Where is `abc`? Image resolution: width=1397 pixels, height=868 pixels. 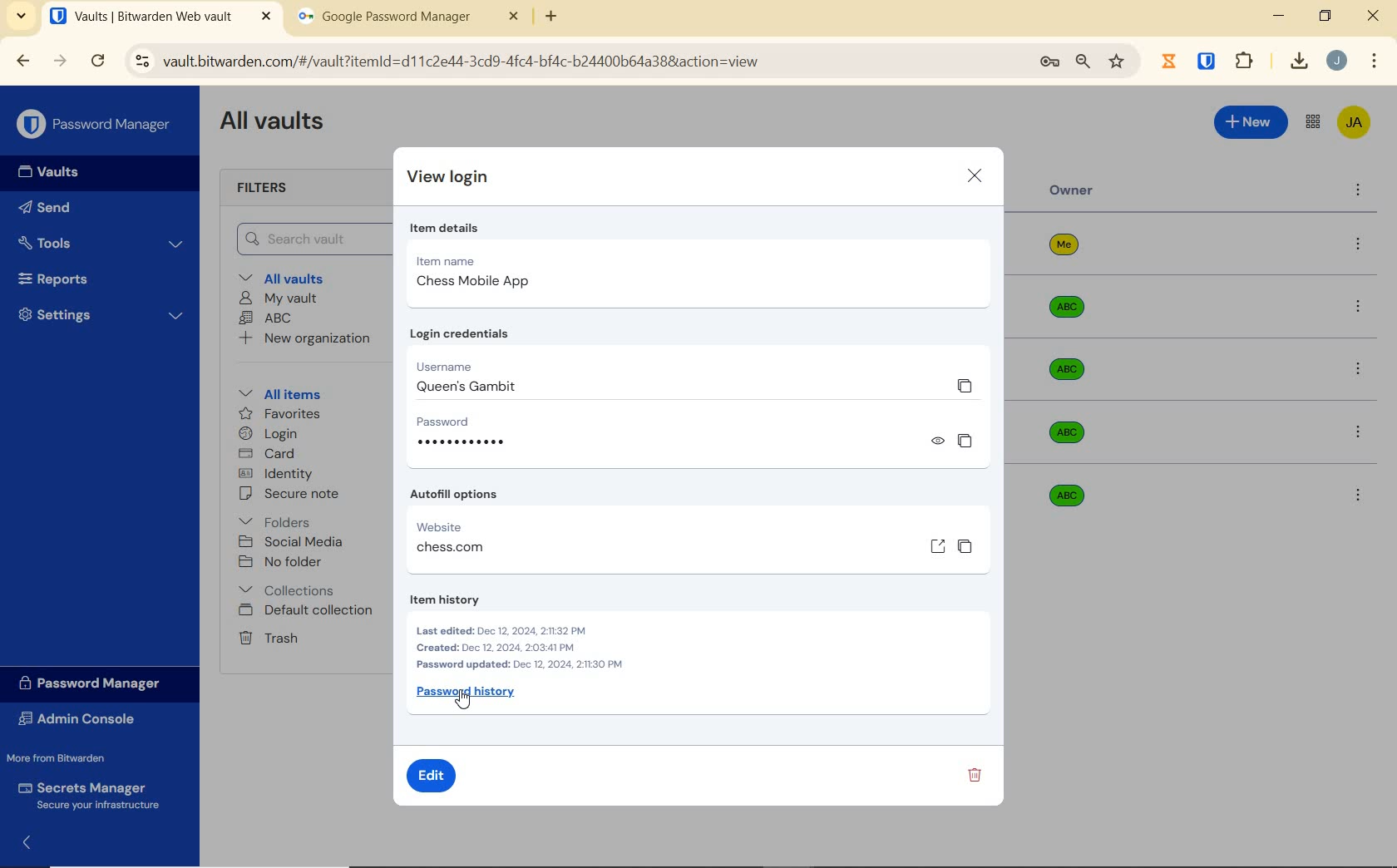
abc is located at coordinates (1079, 369).